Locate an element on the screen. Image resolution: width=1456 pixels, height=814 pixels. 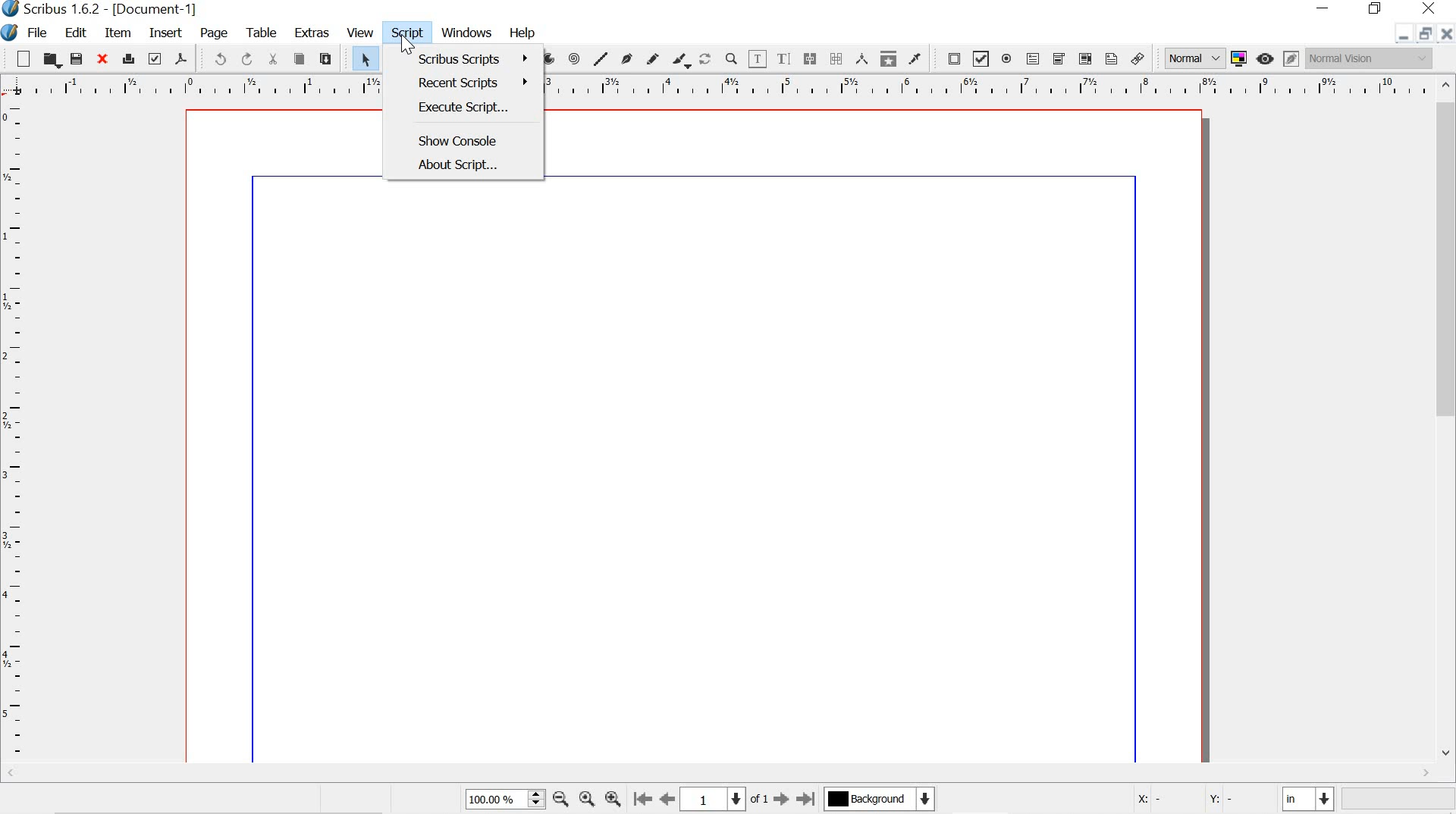
cut is located at coordinates (275, 58).